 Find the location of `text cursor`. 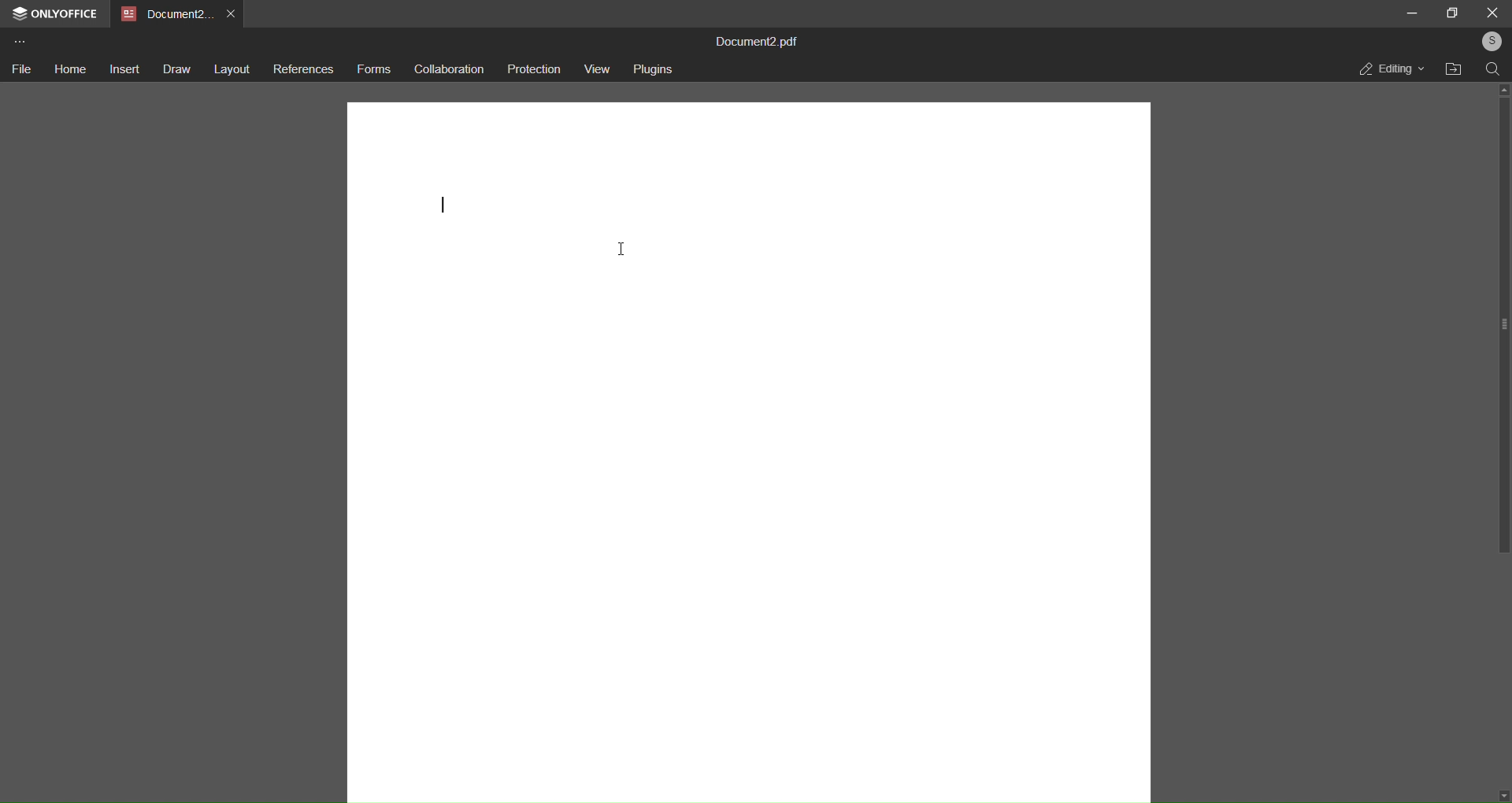

text cursor is located at coordinates (443, 206).